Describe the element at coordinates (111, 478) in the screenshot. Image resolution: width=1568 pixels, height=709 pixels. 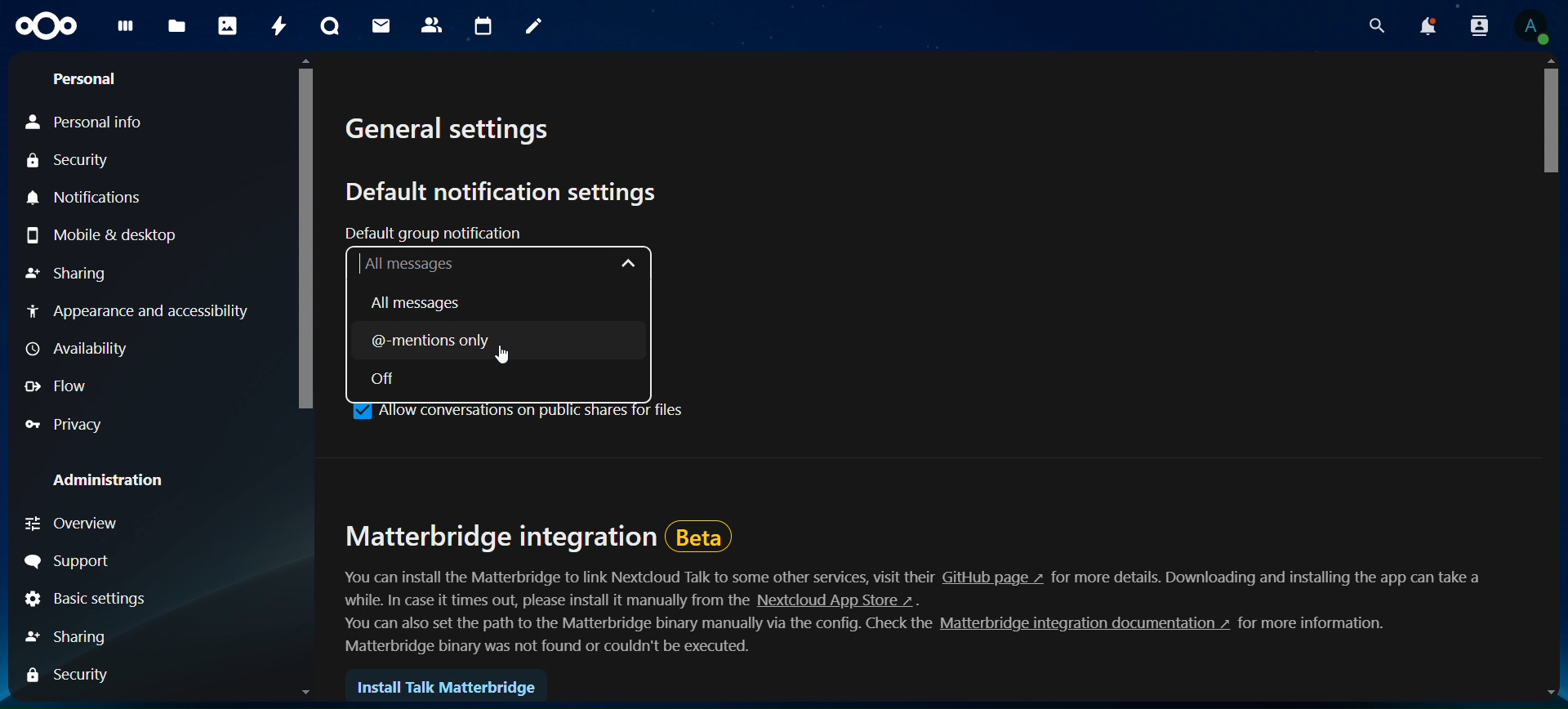
I see `administration` at that location.